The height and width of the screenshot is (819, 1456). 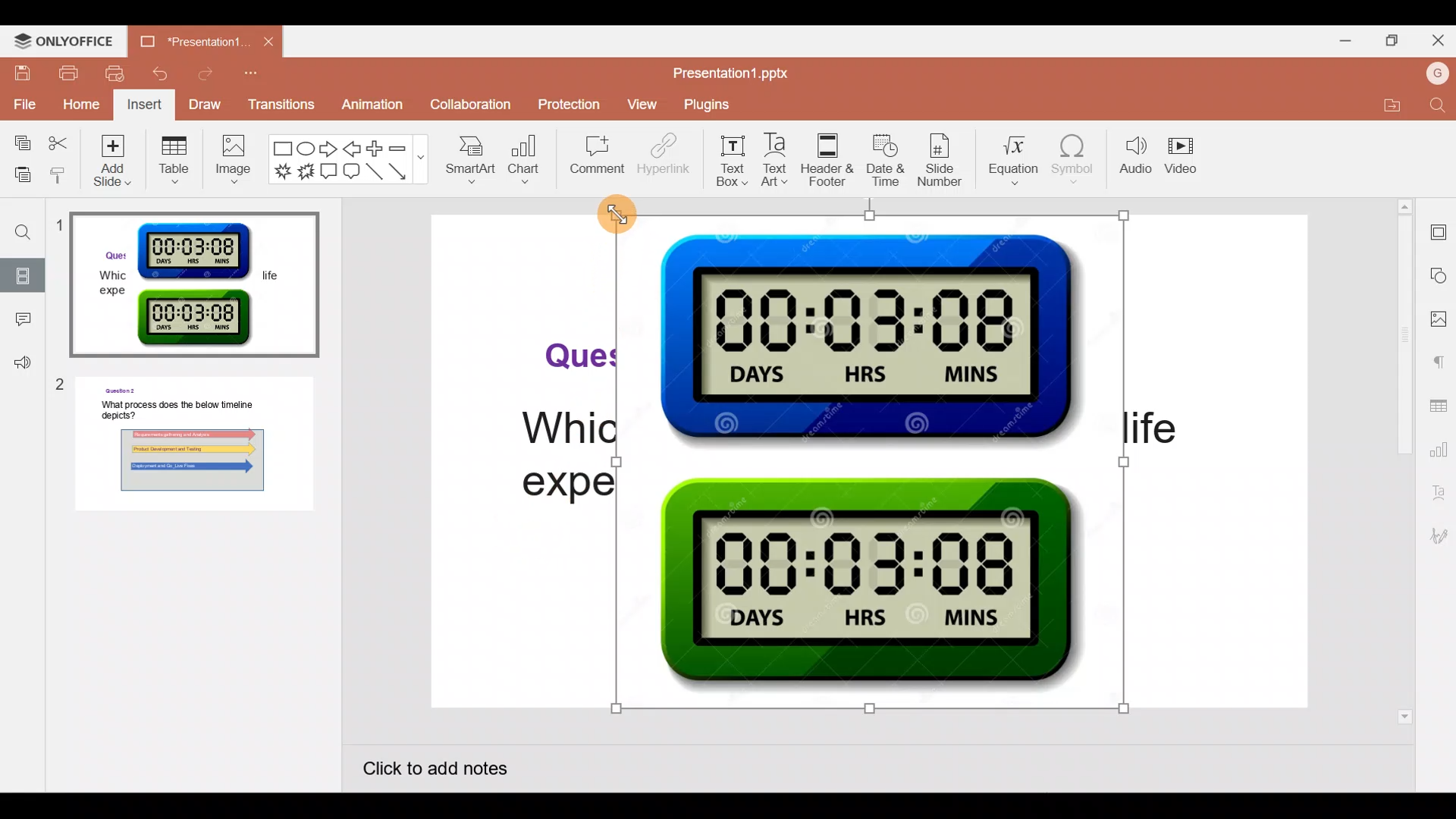 I want to click on Feedback & support, so click(x=17, y=364).